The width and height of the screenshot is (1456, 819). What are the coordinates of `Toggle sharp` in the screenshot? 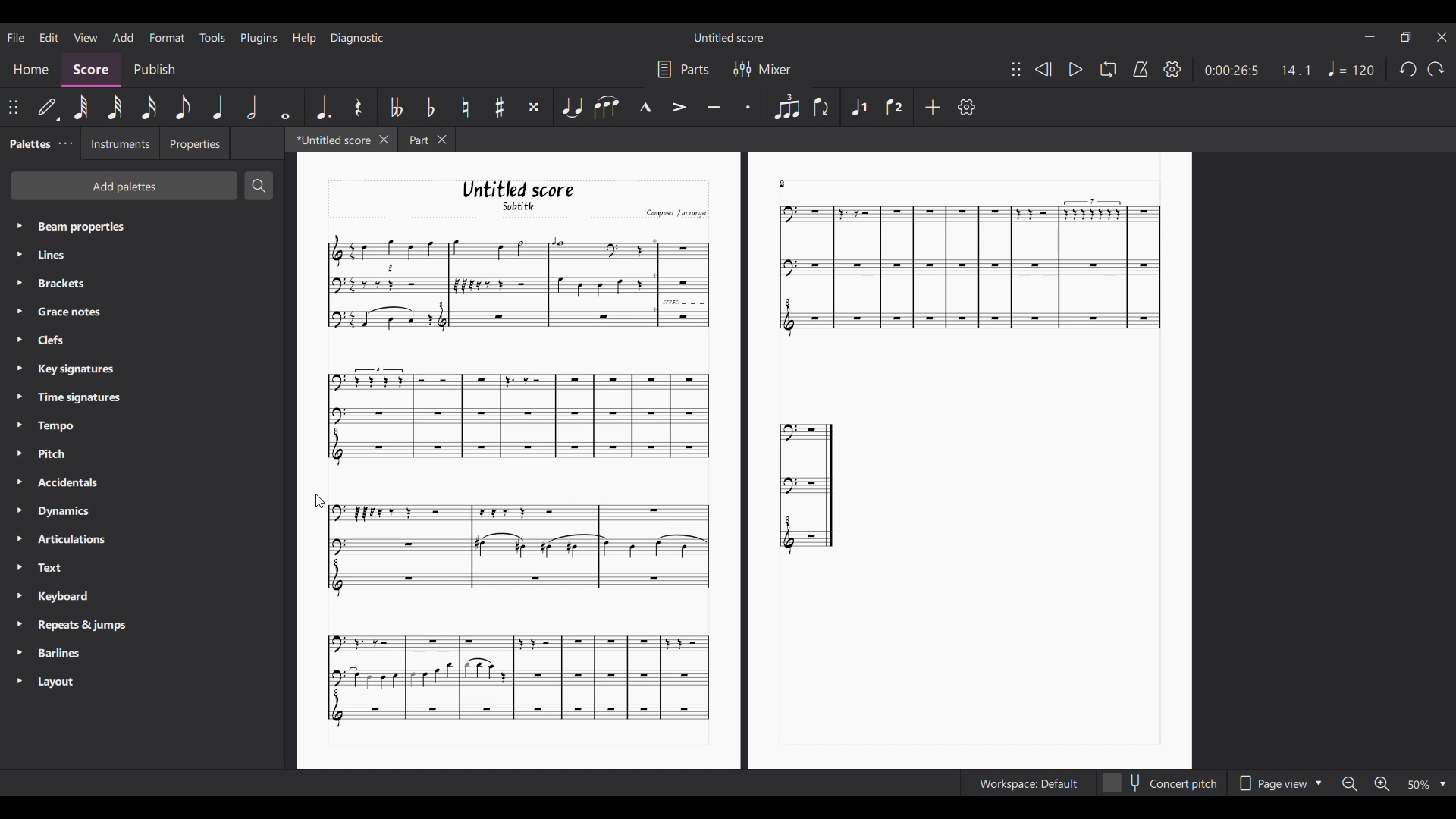 It's located at (500, 107).